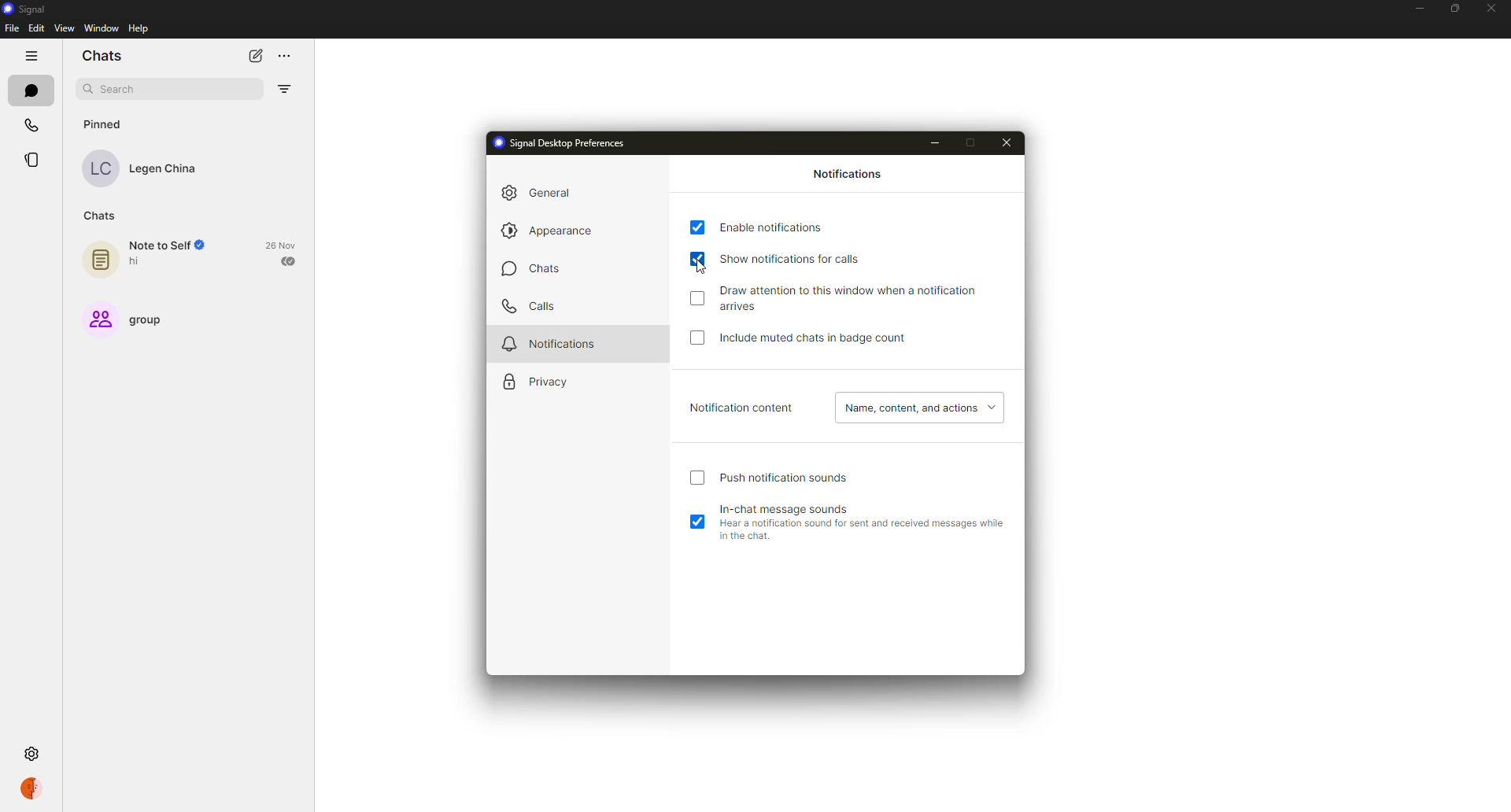 The image size is (1511, 812). What do you see at coordinates (1492, 9) in the screenshot?
I see `close` at bounding box center [1492, 9].